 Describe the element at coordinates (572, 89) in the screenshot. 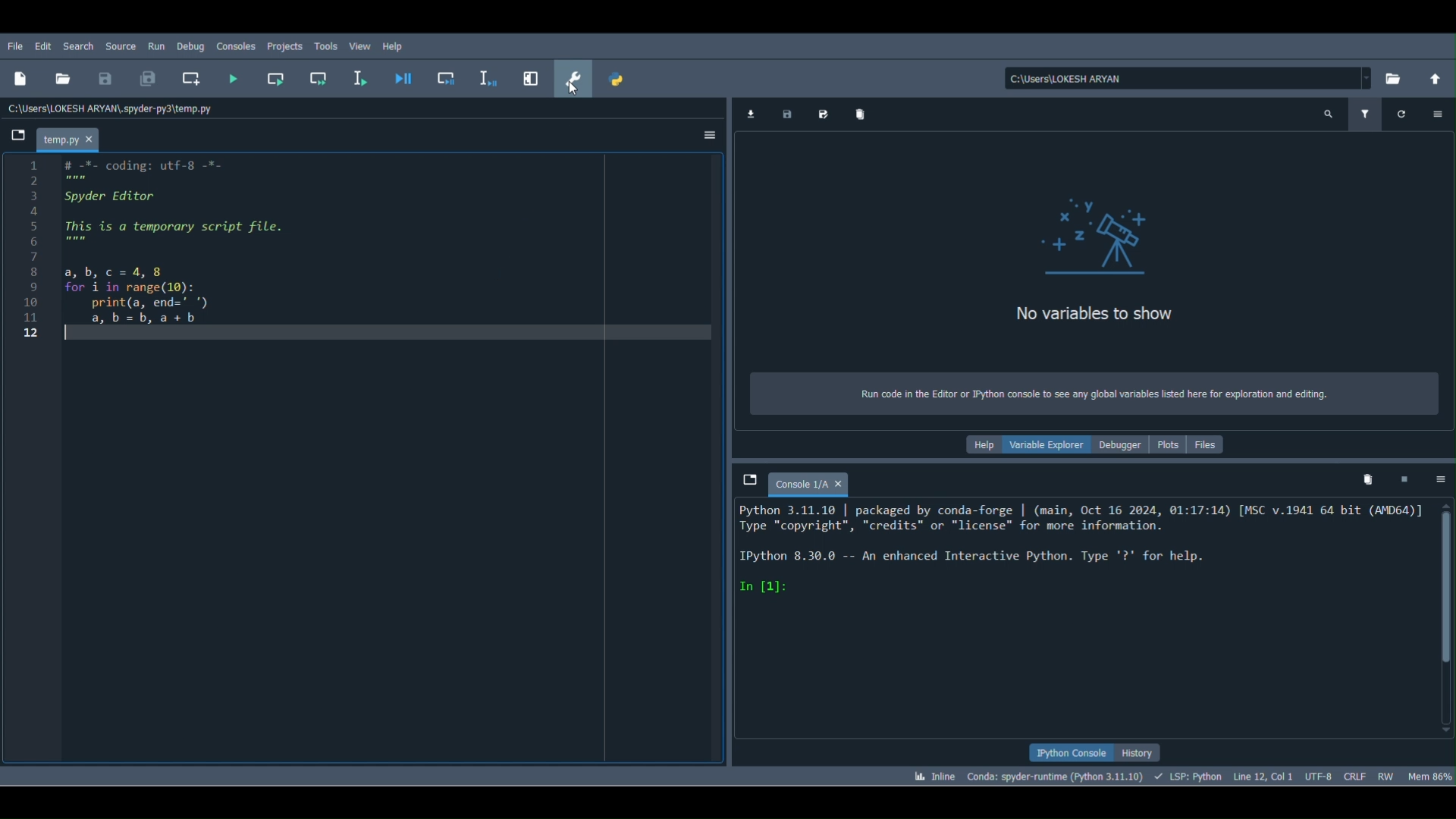

I see `Cursor` at that location.